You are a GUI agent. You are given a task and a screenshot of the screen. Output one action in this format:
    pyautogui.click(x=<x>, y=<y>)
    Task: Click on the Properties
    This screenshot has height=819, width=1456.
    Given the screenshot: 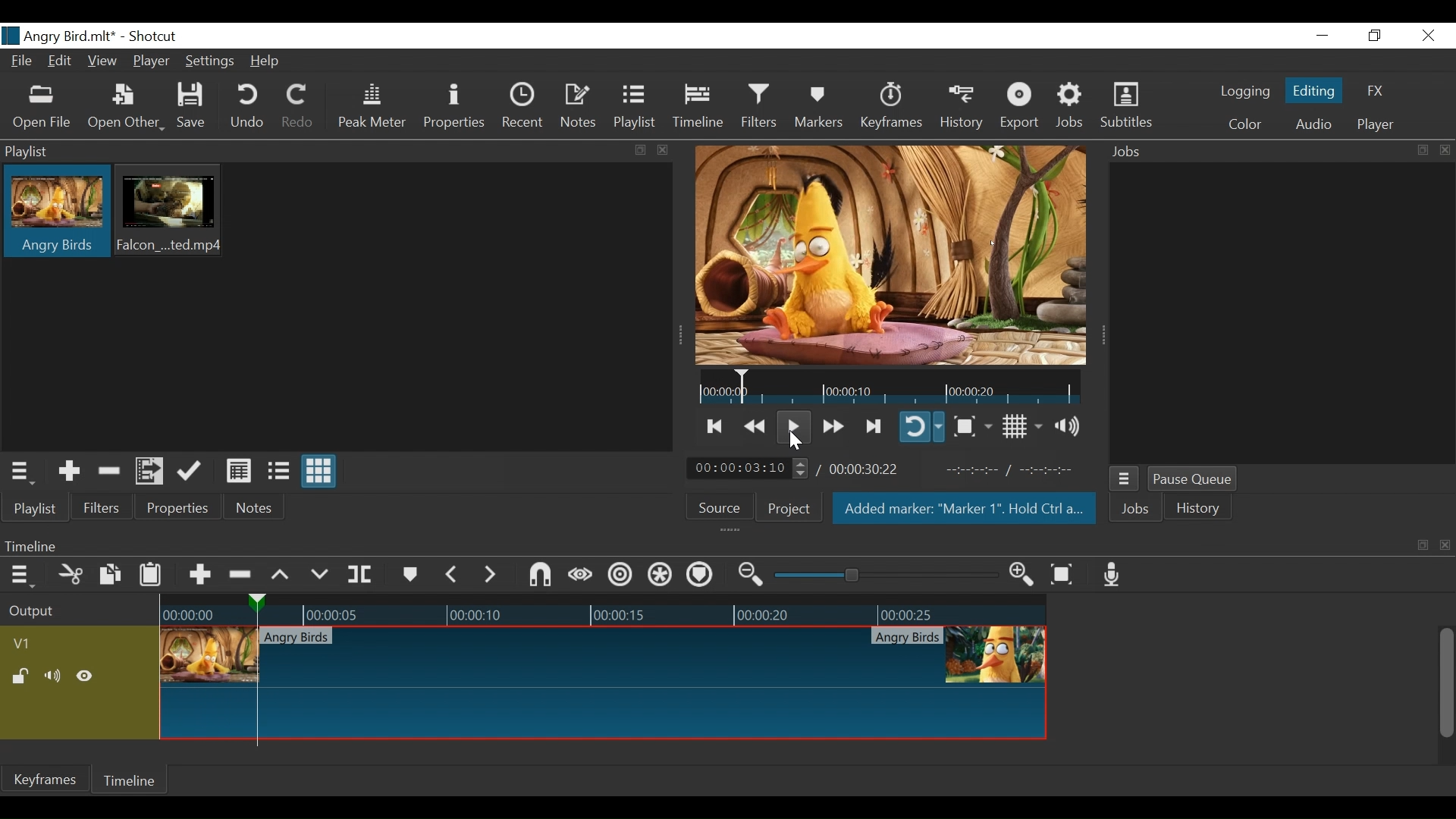 What is the action you would take?
    pyautogui.click(x=456, y=109)
    